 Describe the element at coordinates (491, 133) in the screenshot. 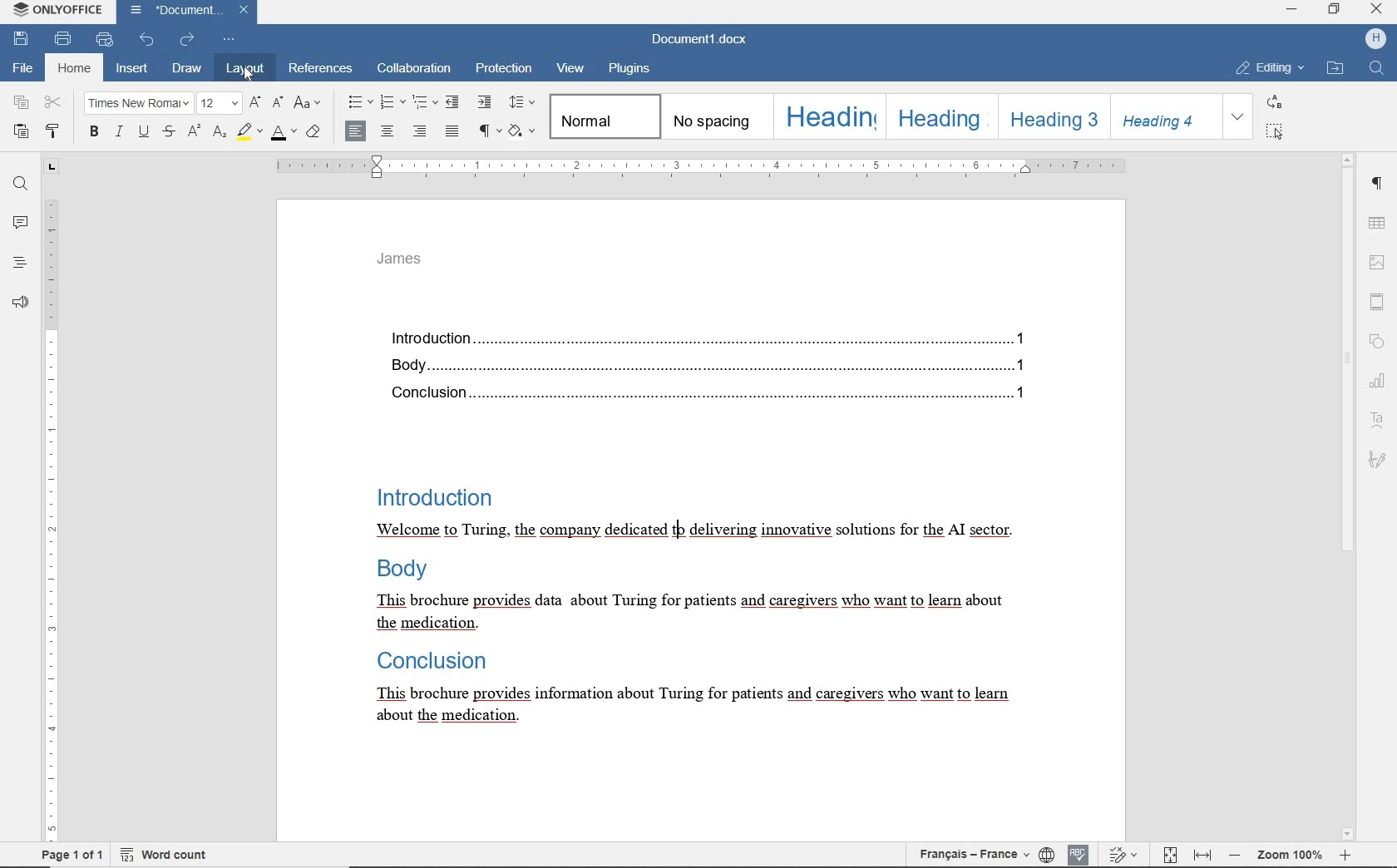

I see `nonprinting characters` at that location.